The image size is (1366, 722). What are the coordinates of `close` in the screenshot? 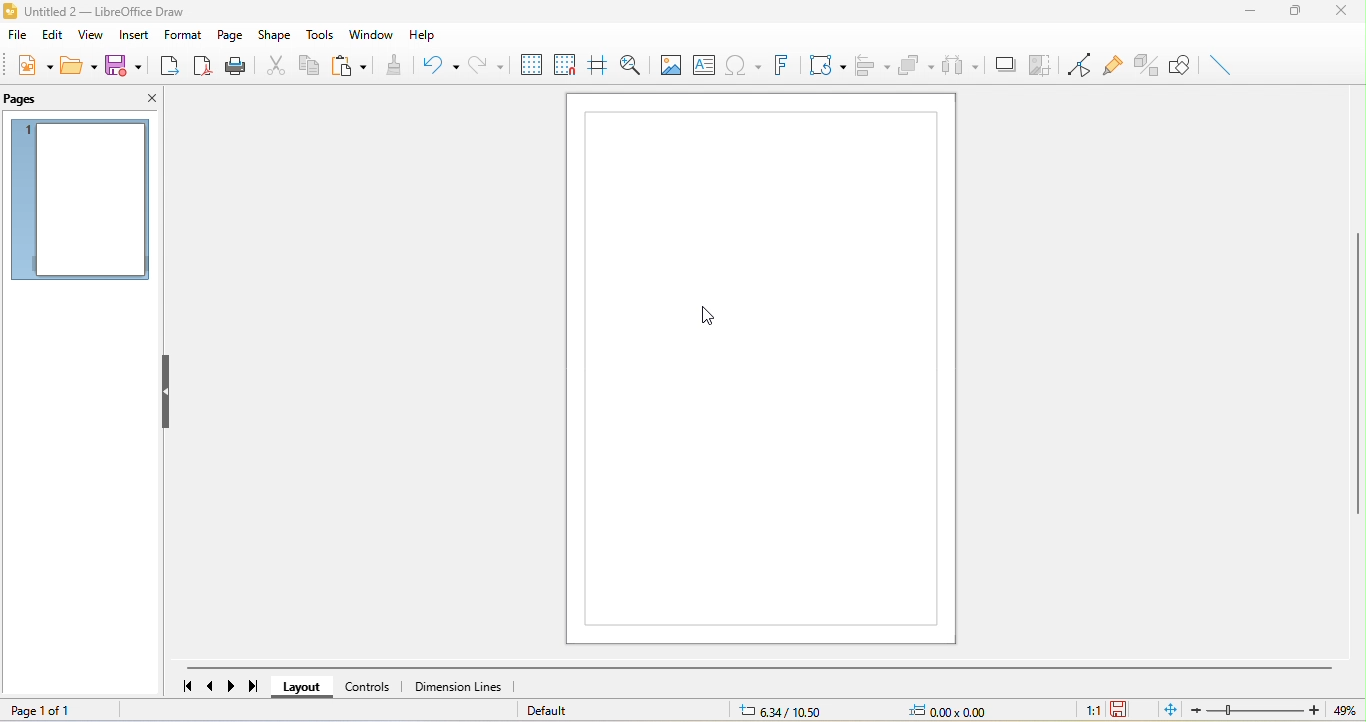 It's located at (147, 97).